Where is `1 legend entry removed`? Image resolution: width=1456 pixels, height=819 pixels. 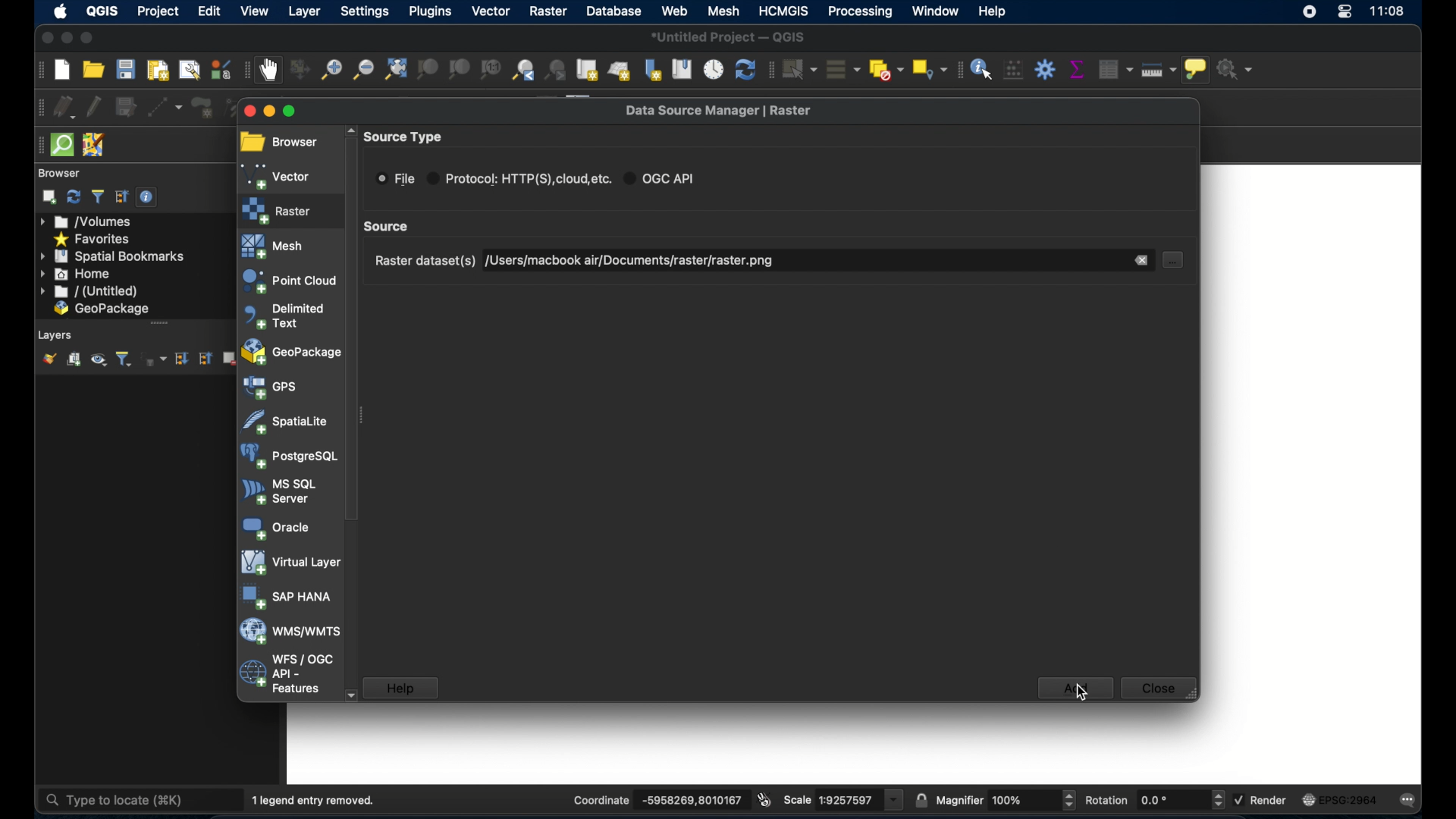 1 legend entry removed is located at coordinates (318, 799).